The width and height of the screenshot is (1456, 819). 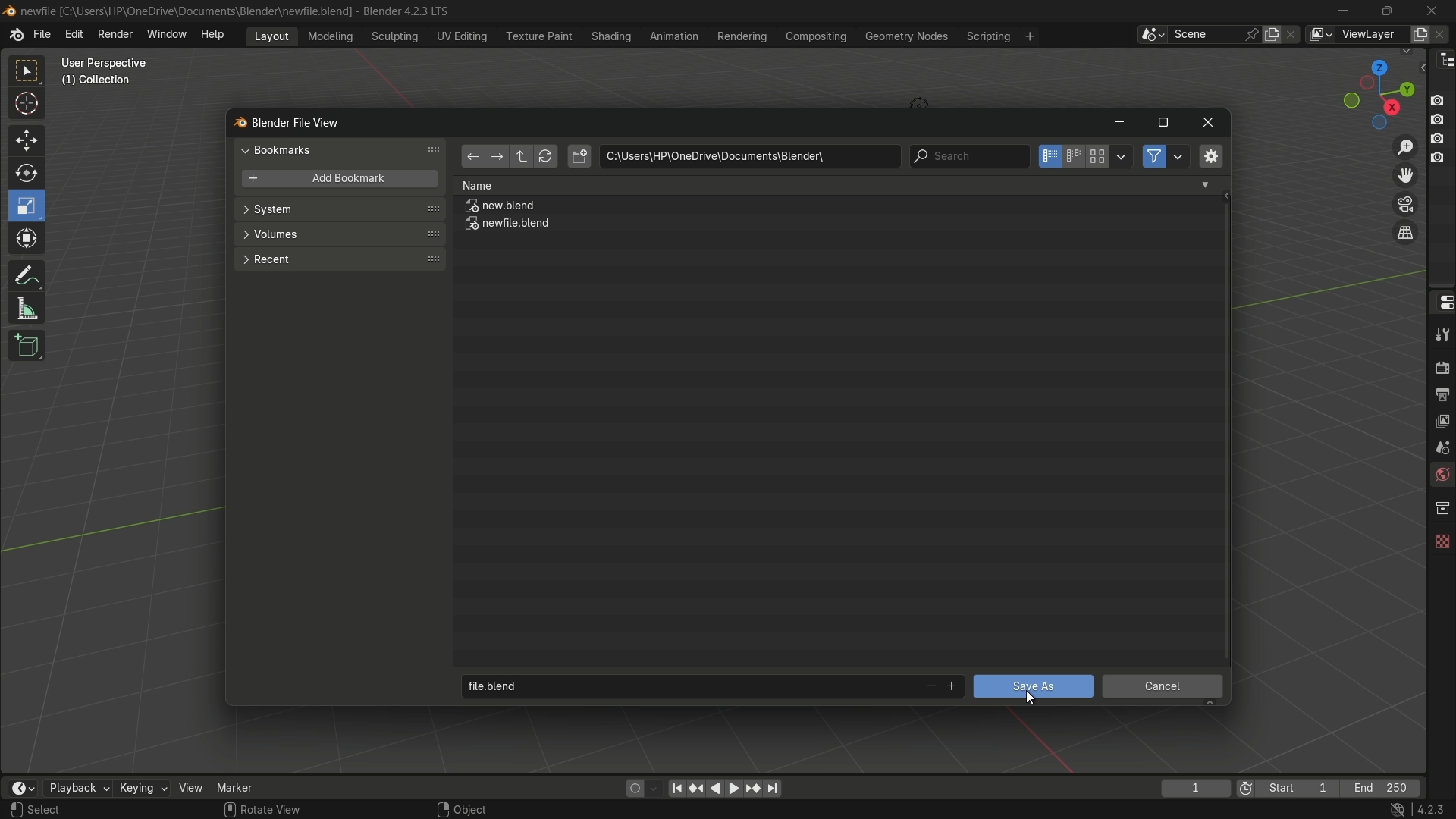 What do you see at coordinates (654, 788) in the screenshot?
I see `auto keyframe` at bounding box center [654, 788].